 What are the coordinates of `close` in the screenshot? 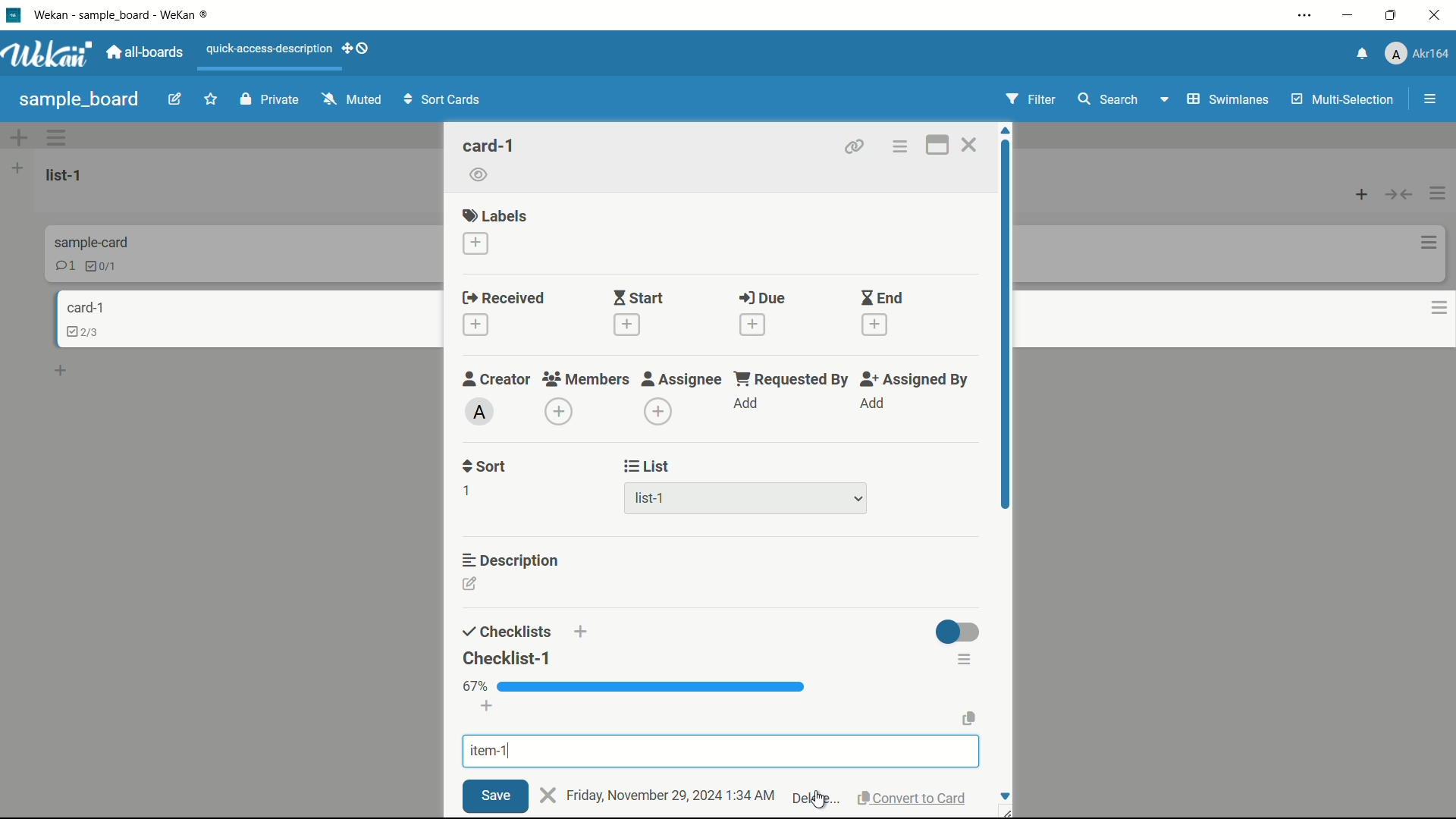 It's located at (549, 794).